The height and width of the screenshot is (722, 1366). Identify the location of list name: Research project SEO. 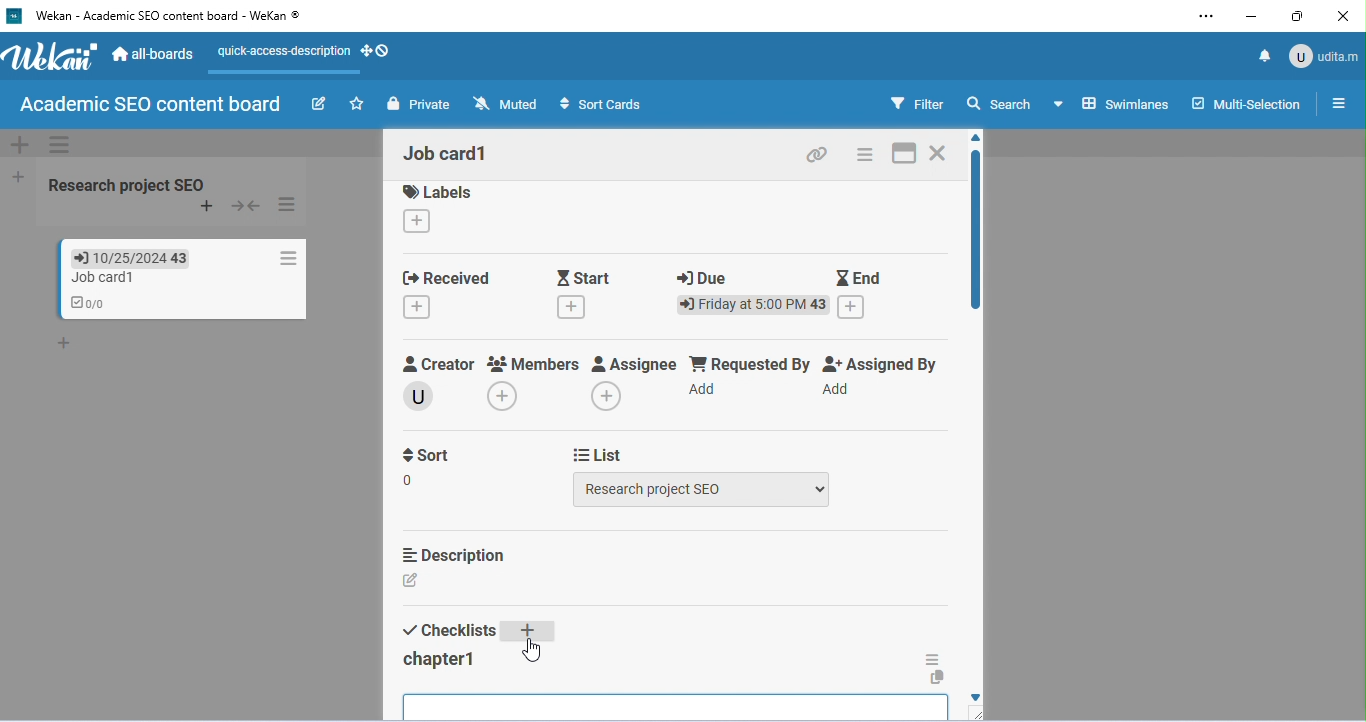
(131, 184).